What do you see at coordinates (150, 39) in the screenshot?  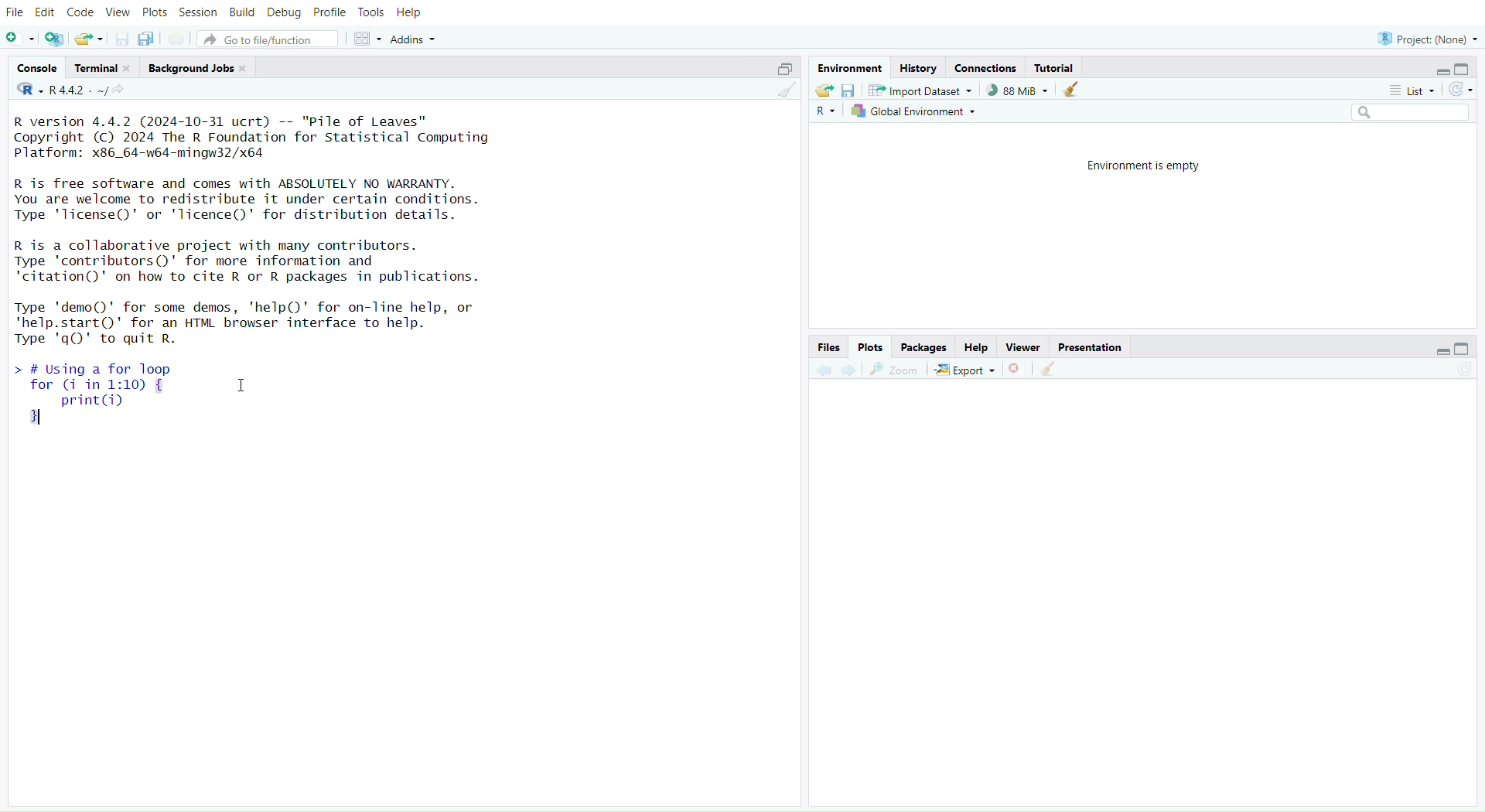 I see `save all open document` at bounding box center [150, 39].